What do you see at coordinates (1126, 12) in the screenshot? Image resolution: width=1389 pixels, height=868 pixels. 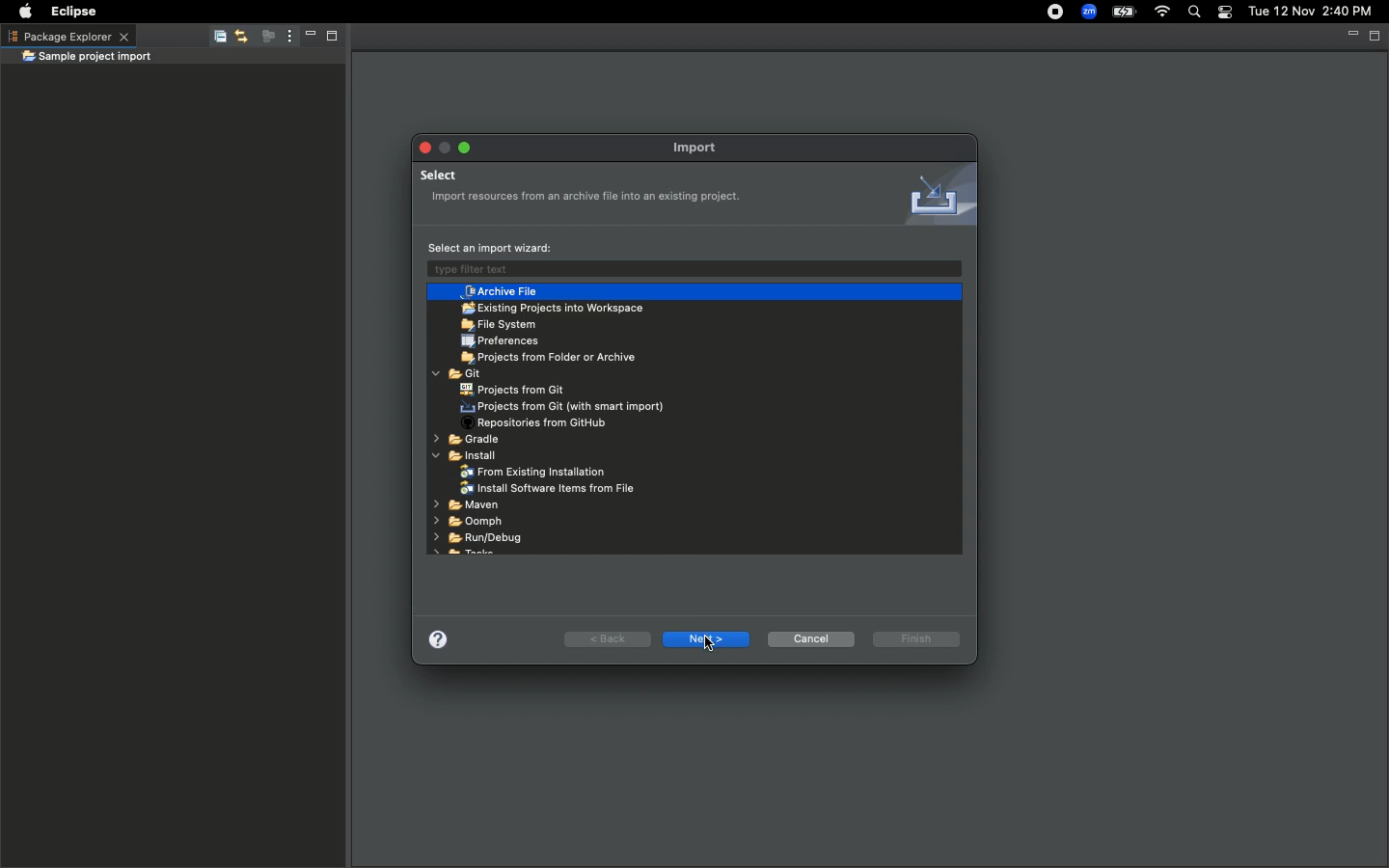 I see `Charge` at bounding box center [1126, 12].